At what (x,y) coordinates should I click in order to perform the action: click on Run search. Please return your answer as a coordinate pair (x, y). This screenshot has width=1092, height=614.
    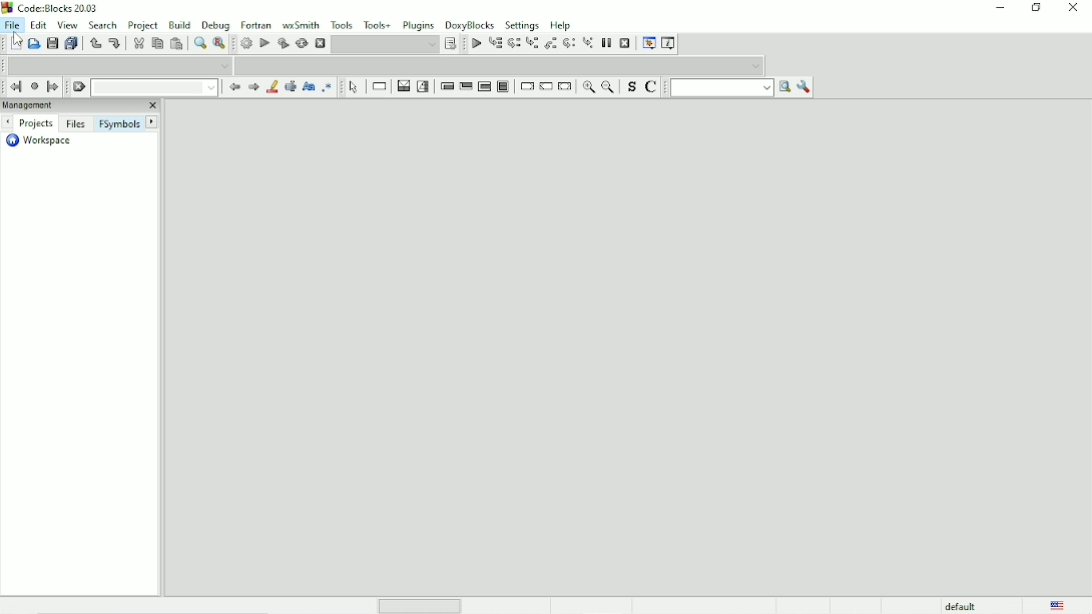
    Looking at the image, I should click on (731, 87).